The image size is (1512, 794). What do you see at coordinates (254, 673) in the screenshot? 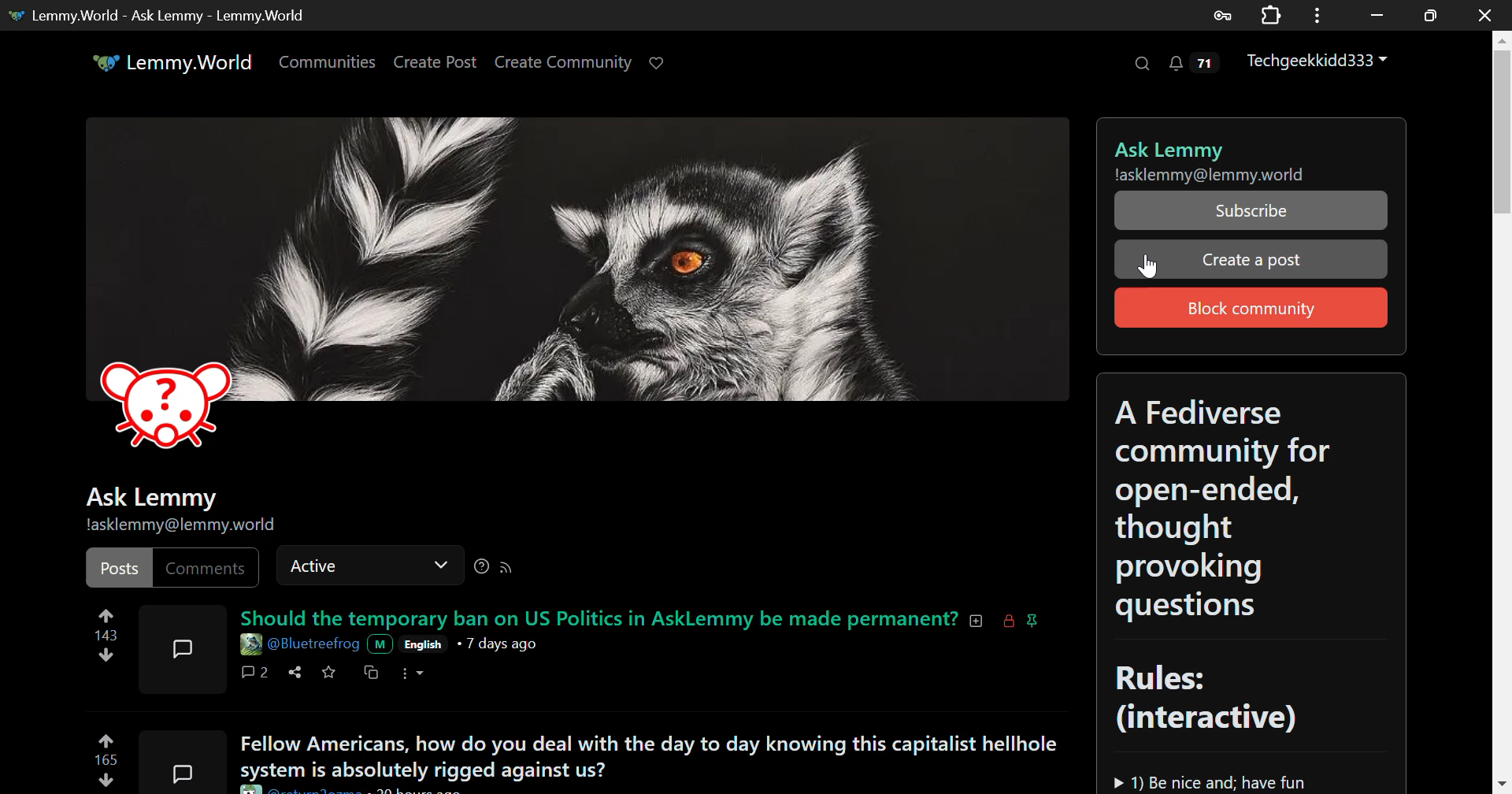
I see `Comments` at bounding box center [254, 673].